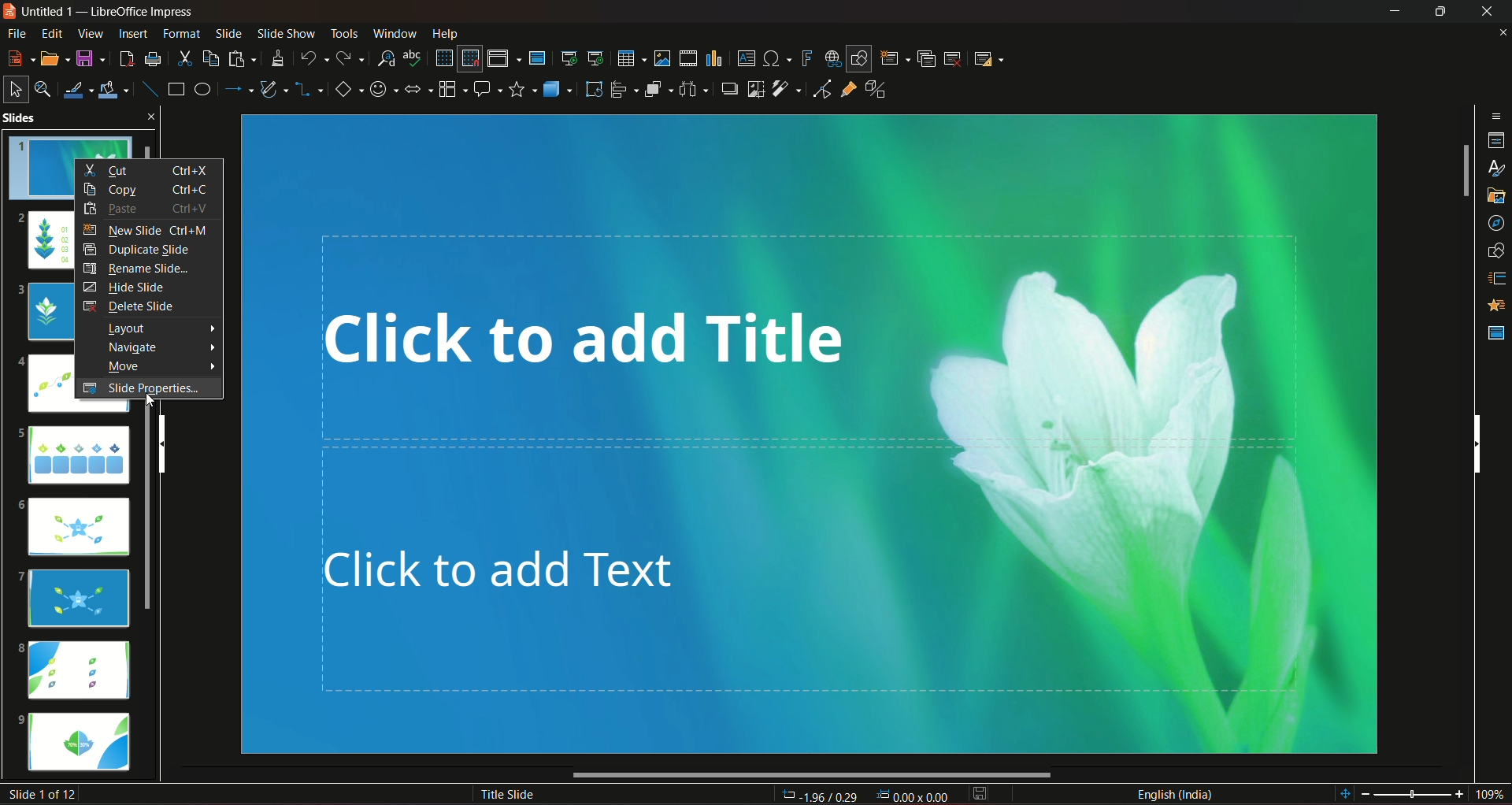  Describe the element at coordinates (124, 286) in the screenshot. I see `hide slide` at that location.